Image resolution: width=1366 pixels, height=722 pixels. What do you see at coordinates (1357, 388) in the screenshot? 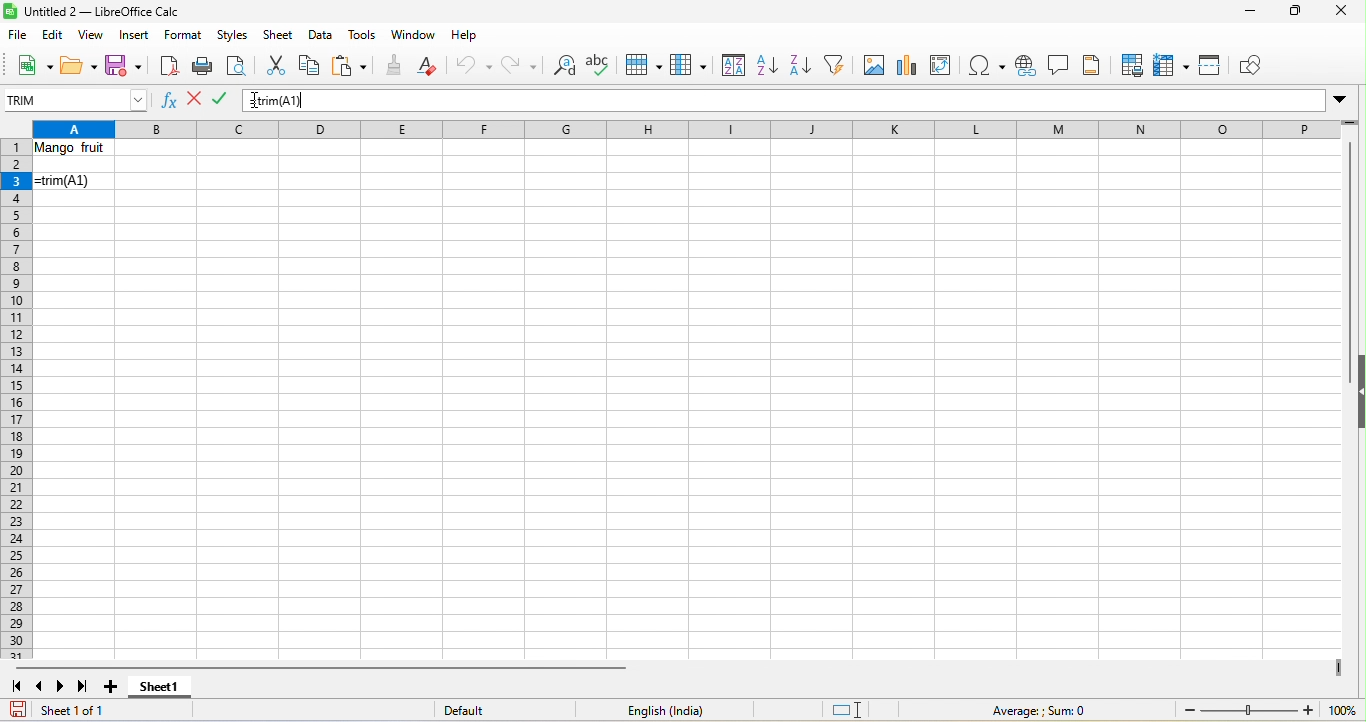
I see `height` at bounding box center [1357, 388].